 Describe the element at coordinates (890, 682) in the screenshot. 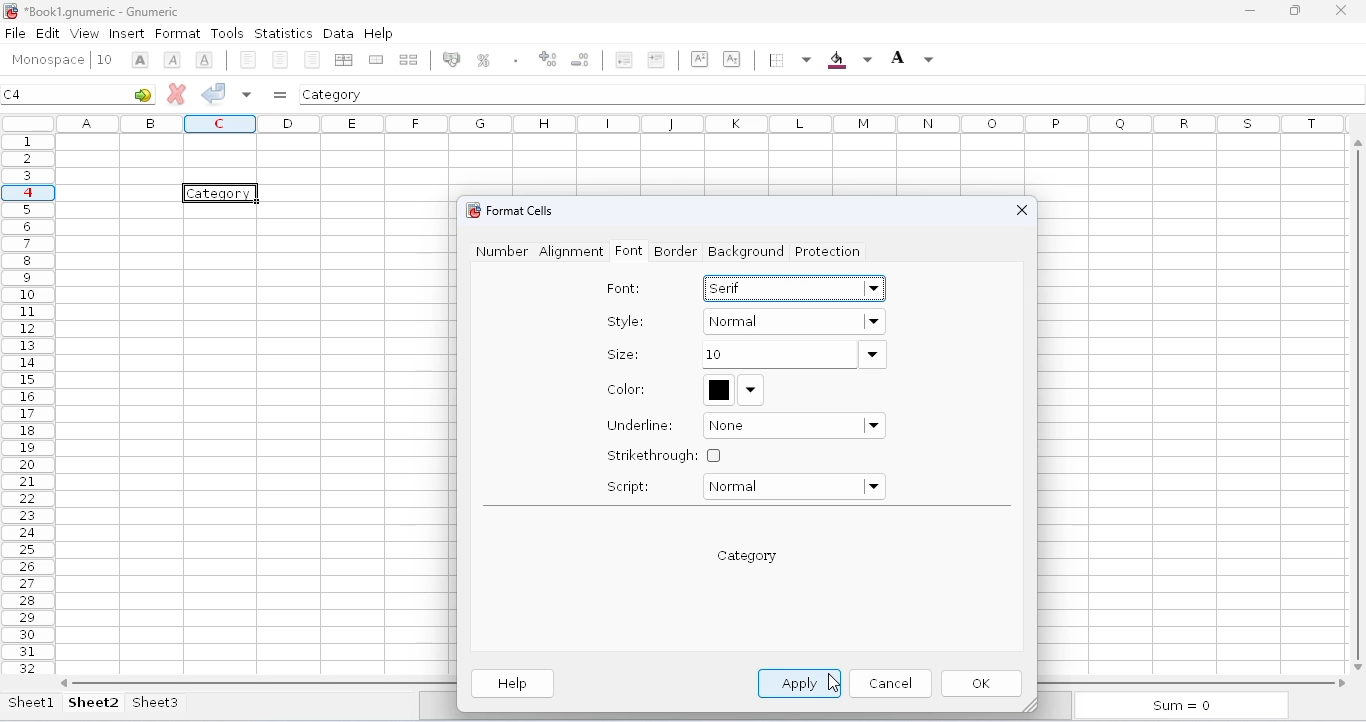

I see `cancel` at that location.